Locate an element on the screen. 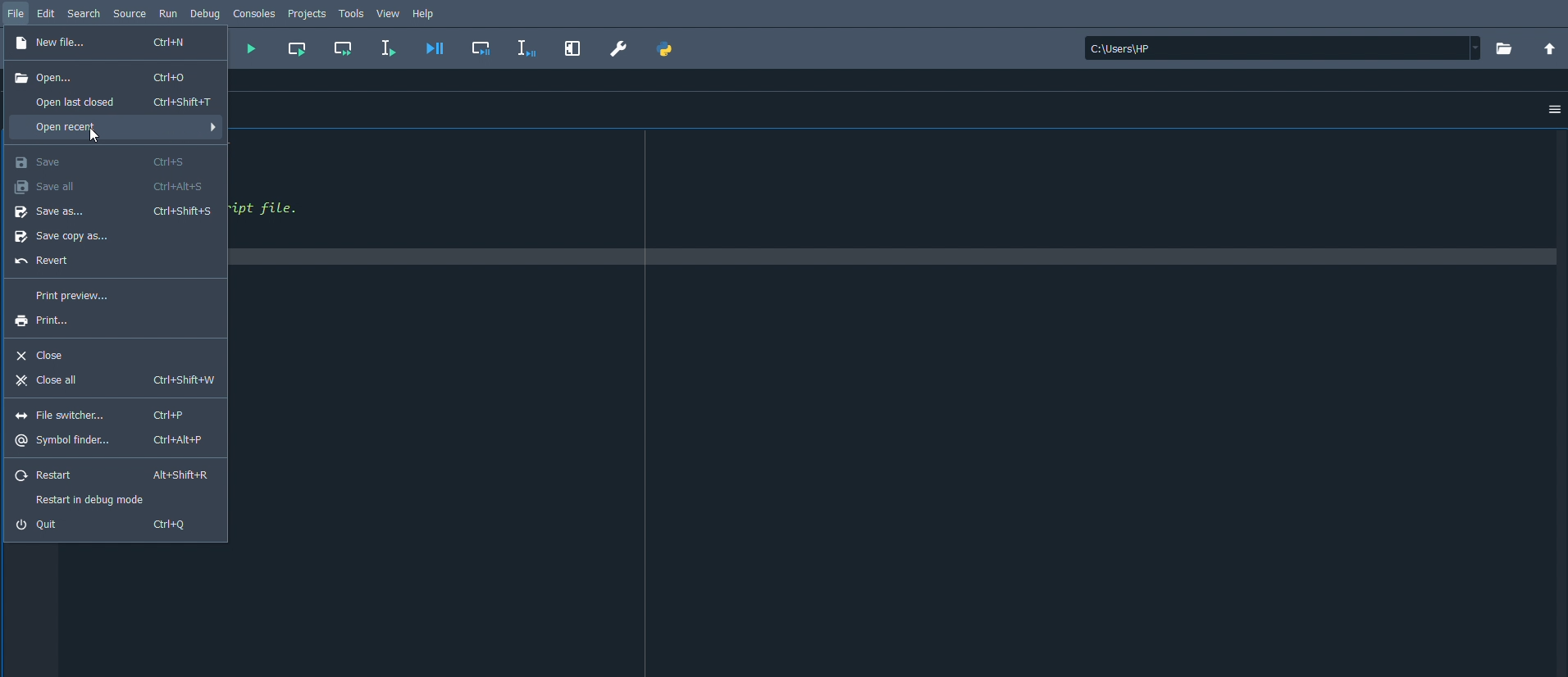 The height and width of the screenshot is (677, 1568). Run selection or current line is located at coordinates (388, 48).